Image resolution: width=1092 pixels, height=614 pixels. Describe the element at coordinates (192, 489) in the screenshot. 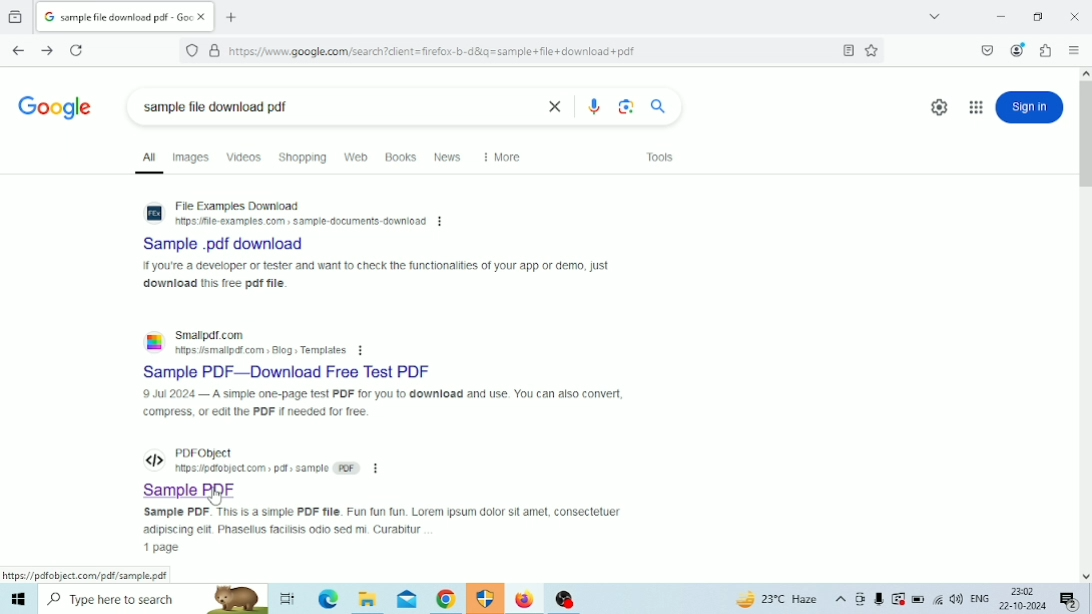

I see `Title of the search` at that location.